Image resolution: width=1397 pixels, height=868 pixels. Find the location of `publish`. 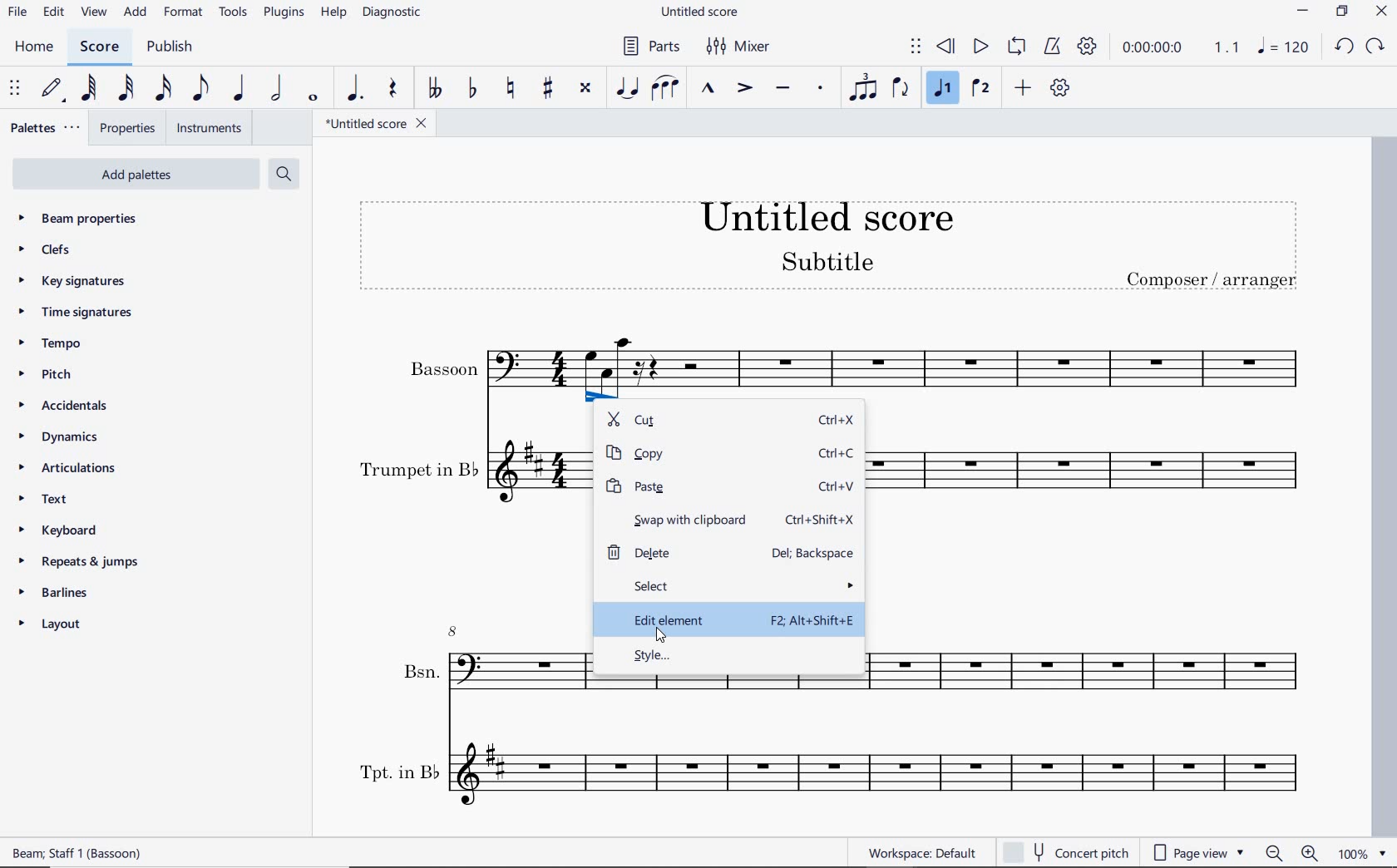

publish is located at coordinates (170, 47).